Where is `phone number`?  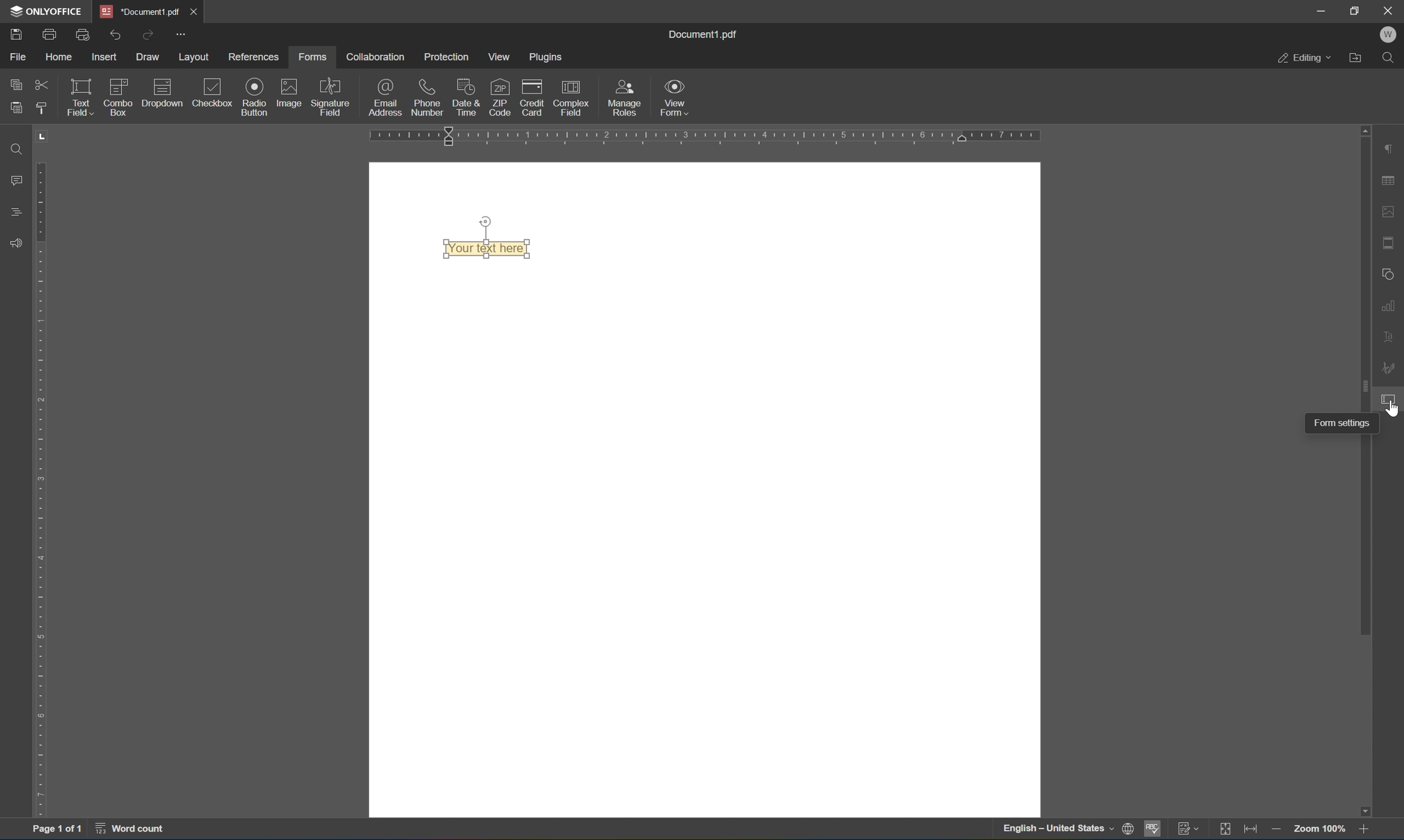
phone number is located at coordinates (427, 97).